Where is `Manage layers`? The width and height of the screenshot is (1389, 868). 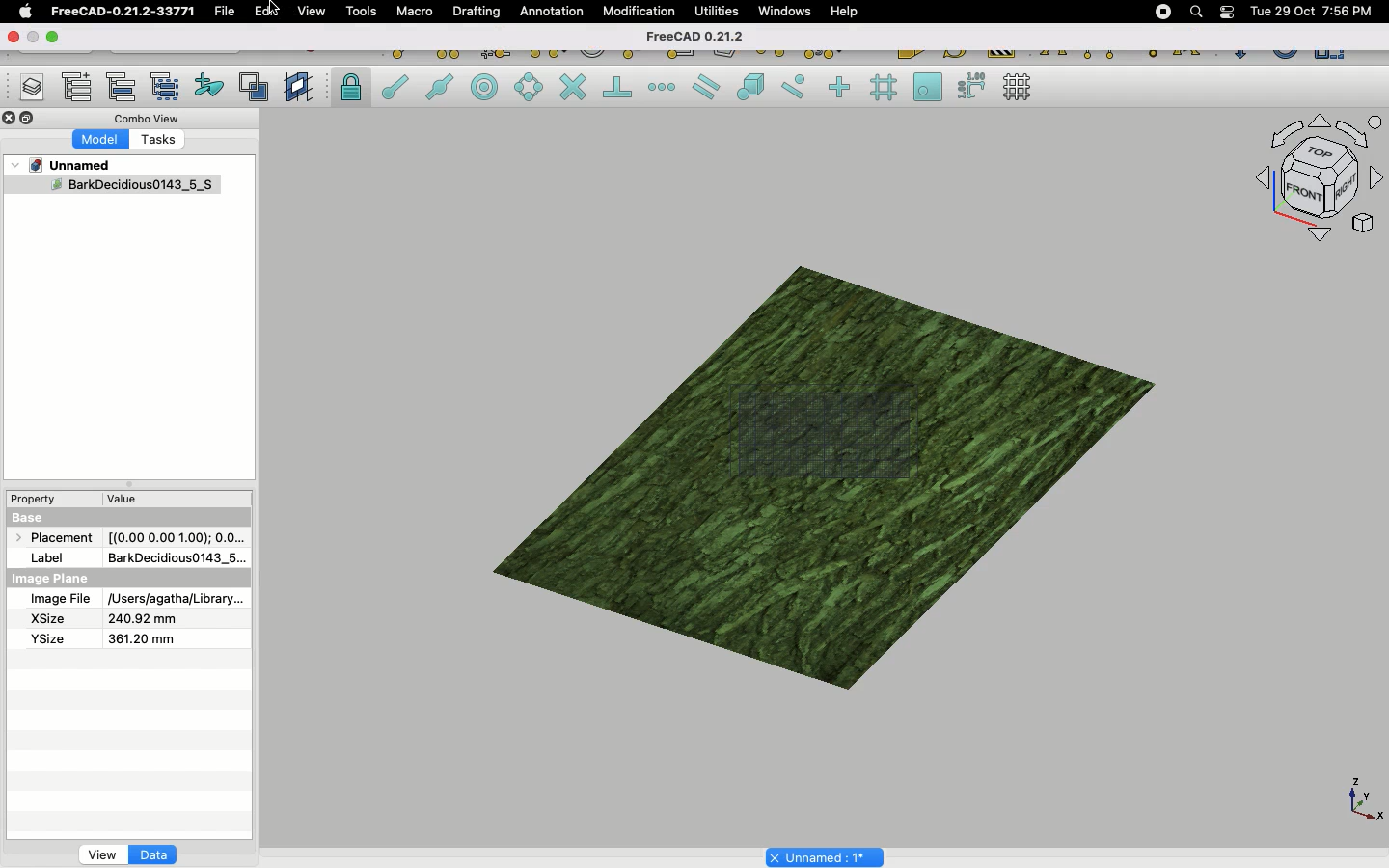 Manage layers is located at coordinates (25, 89).